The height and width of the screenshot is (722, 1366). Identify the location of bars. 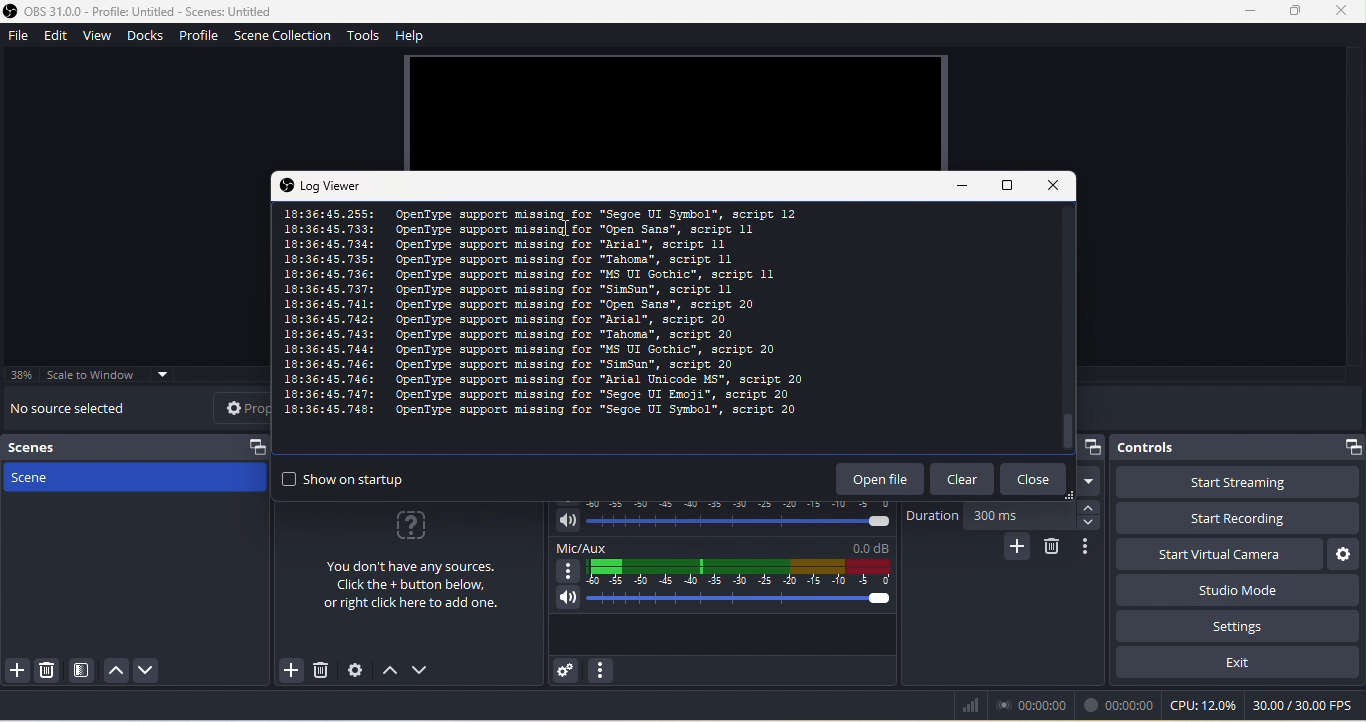
(976, 705).